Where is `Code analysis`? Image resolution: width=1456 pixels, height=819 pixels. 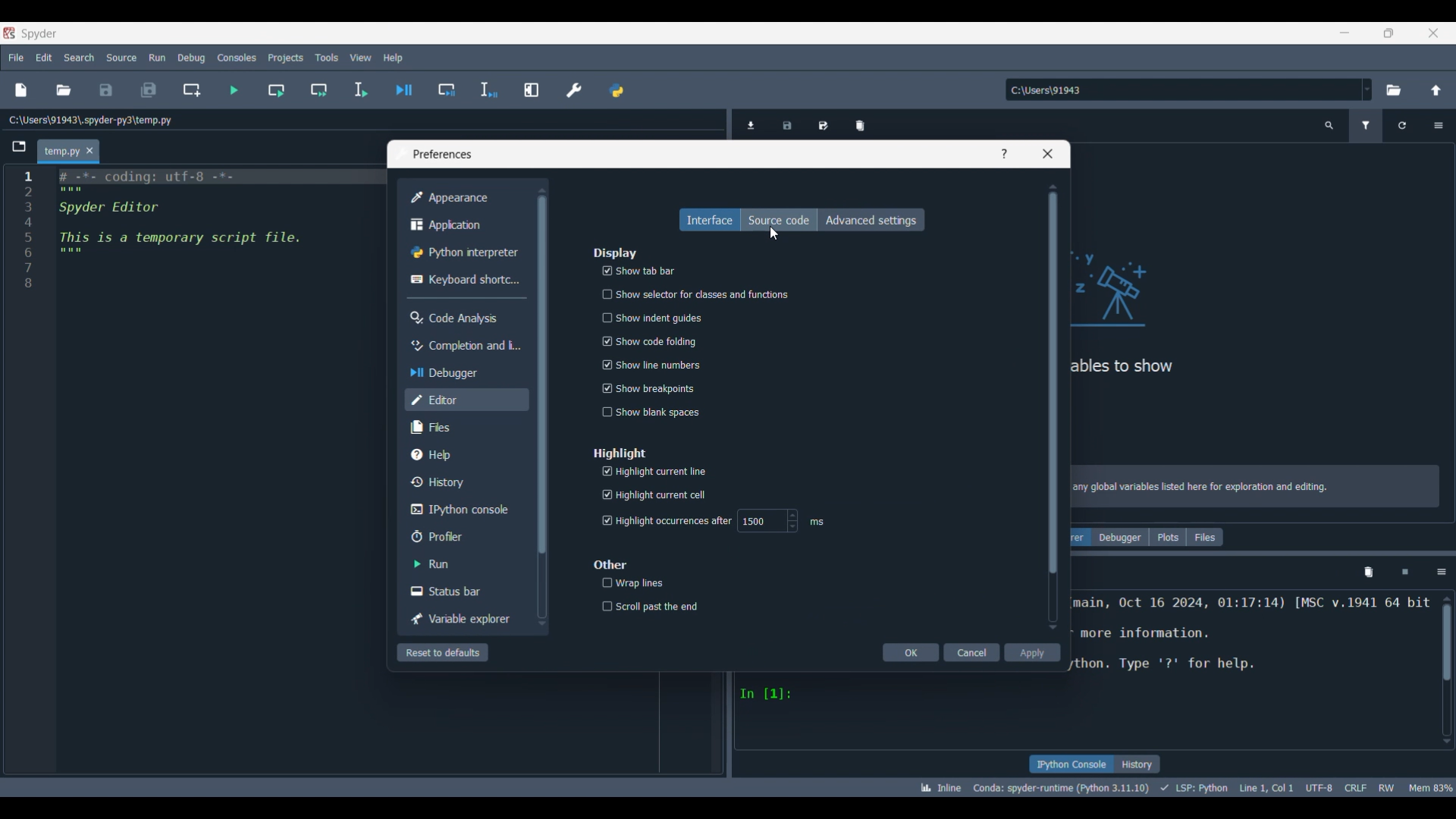 Code analysis is located at coordinates (466, 317).